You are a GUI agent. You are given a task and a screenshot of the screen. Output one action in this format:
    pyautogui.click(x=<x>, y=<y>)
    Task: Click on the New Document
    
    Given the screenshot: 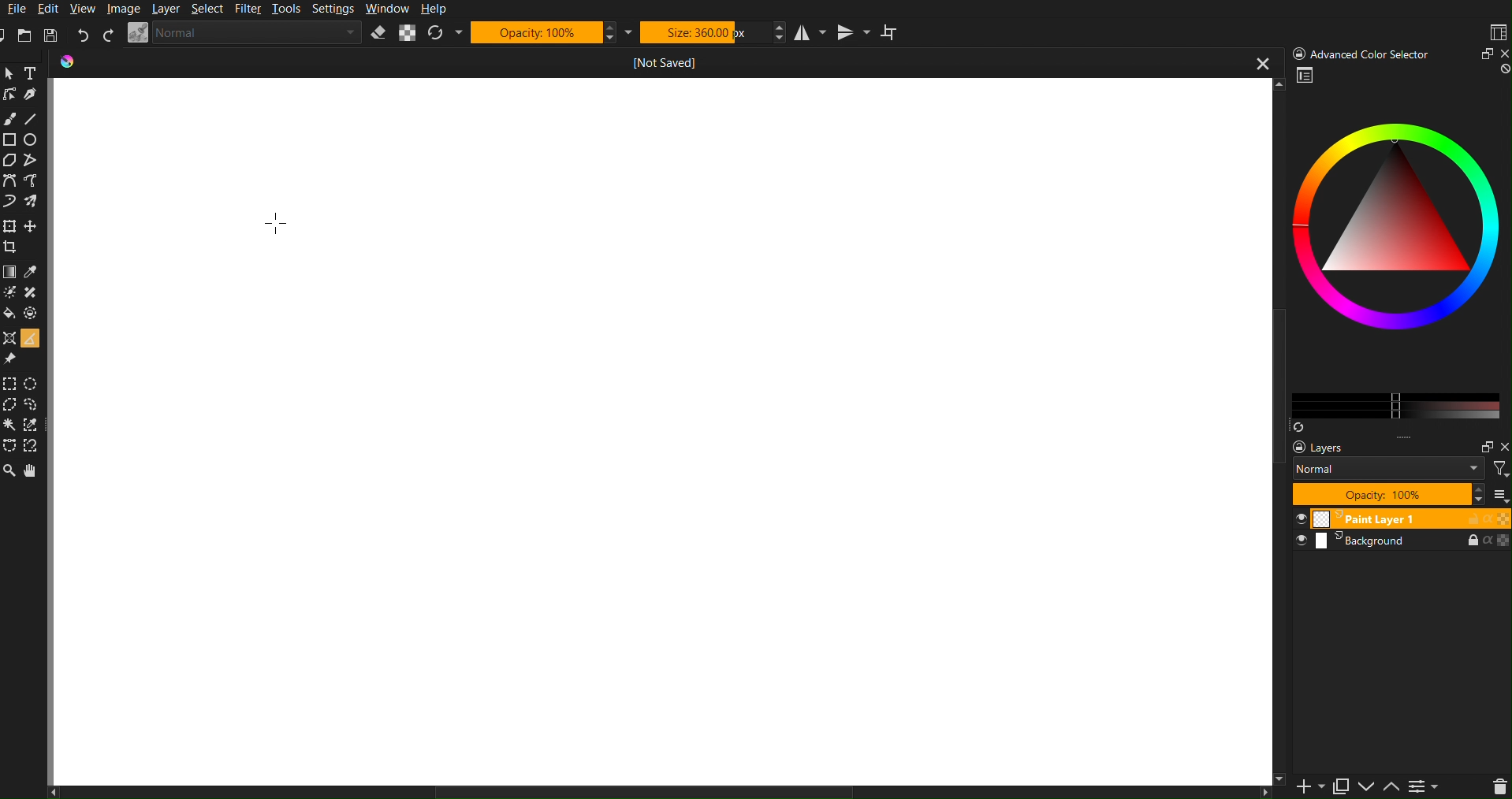 What is the action you would take?
    pyautogui.click(x=9, y=35)
    